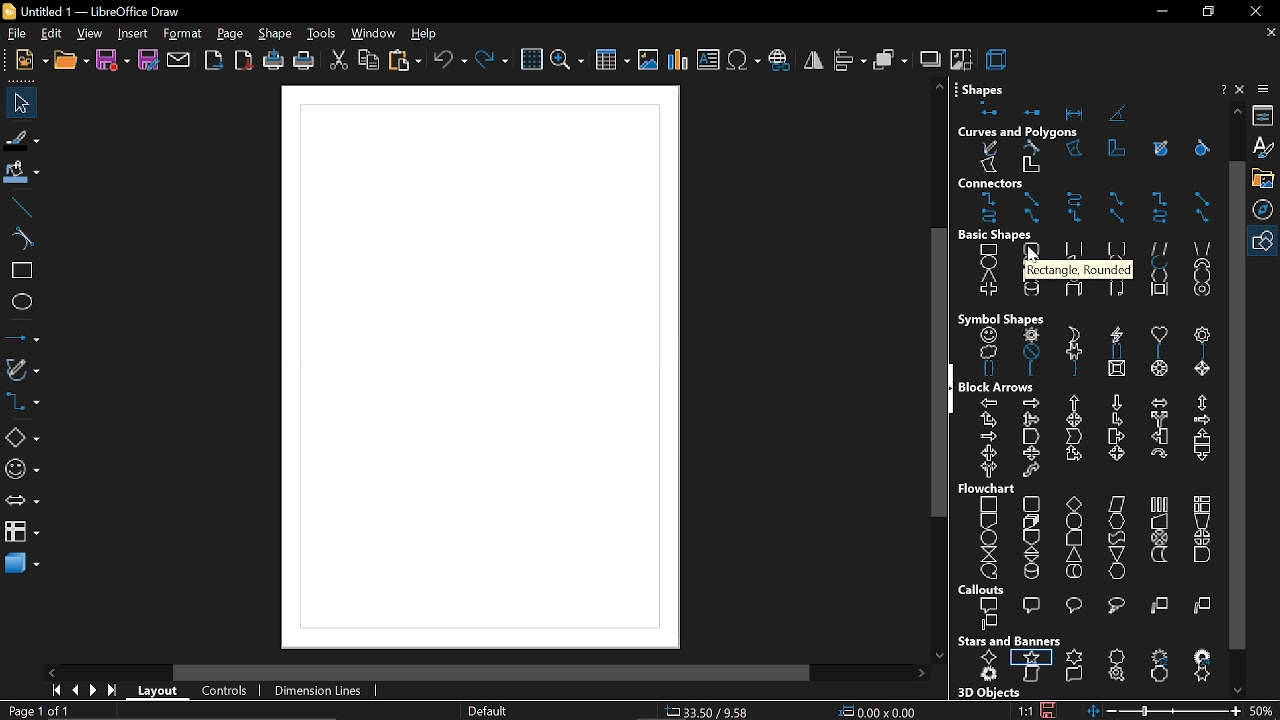 The height and width of the screenshot is (720, 1280). I want to click on lines and arrows, so click(23, 337).